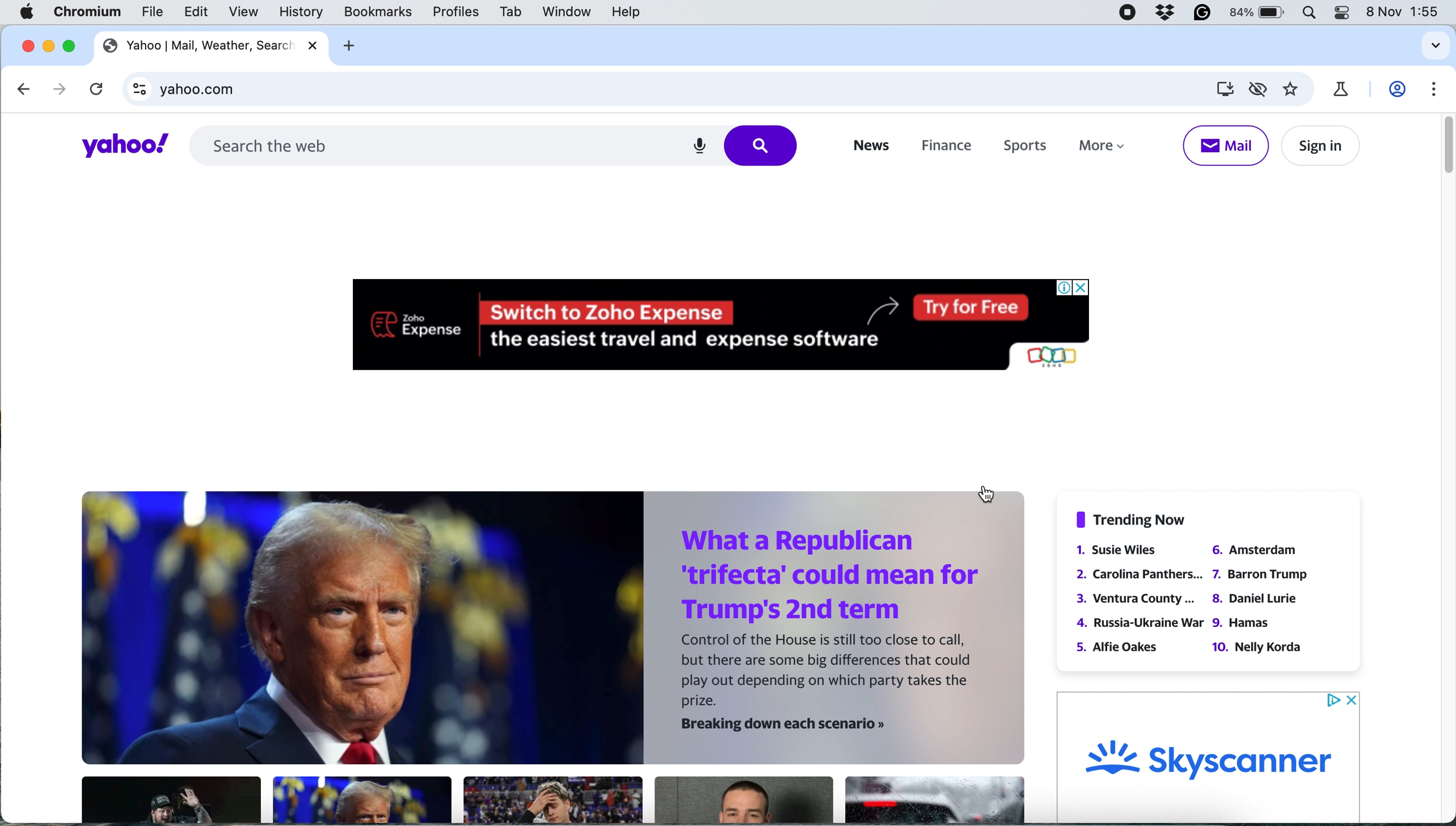 This screenshot has width=1456, height=826. I want to click on system logo, so click(29, 12).